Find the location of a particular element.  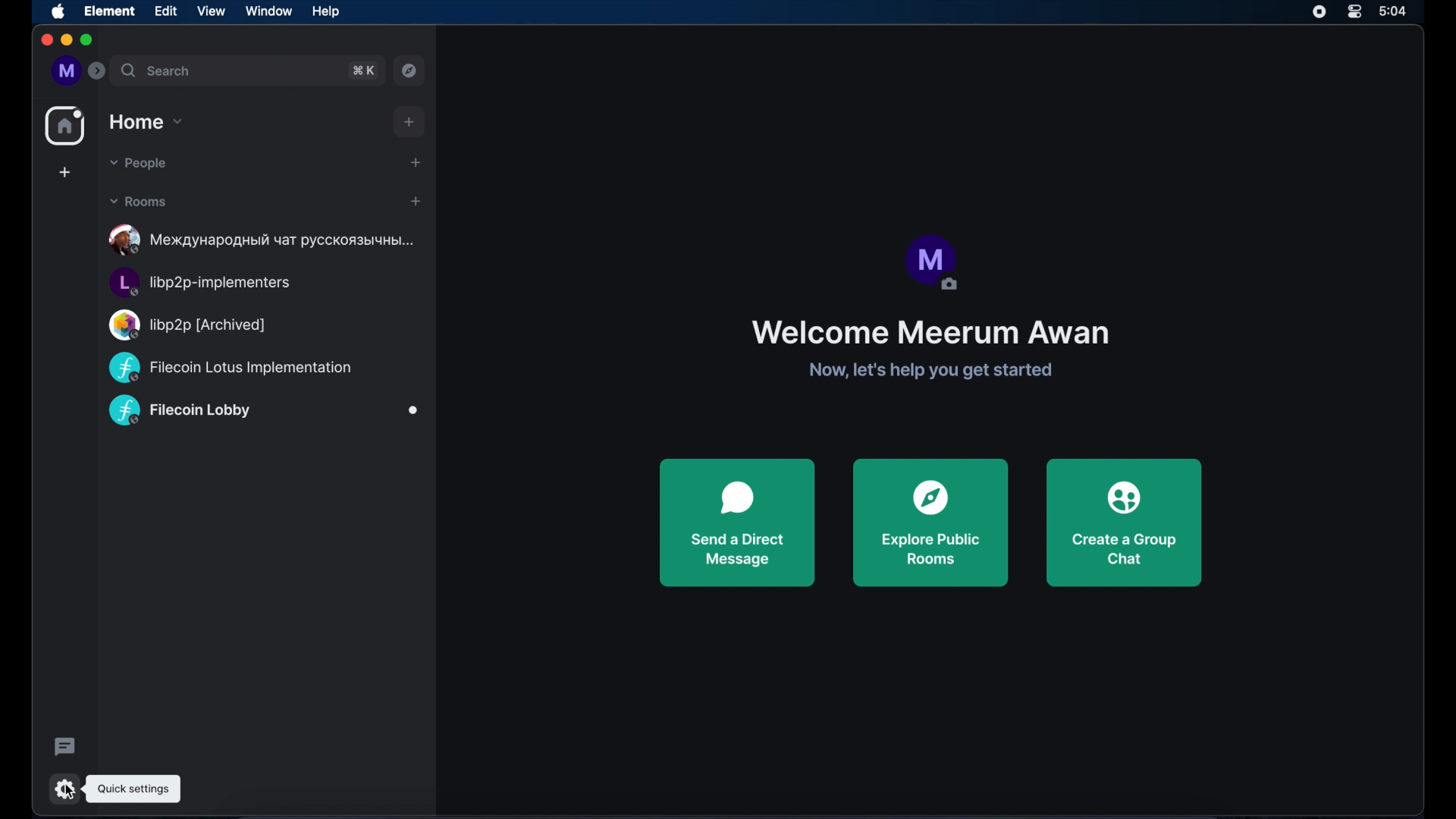

search is located at coordinates (157, 71).